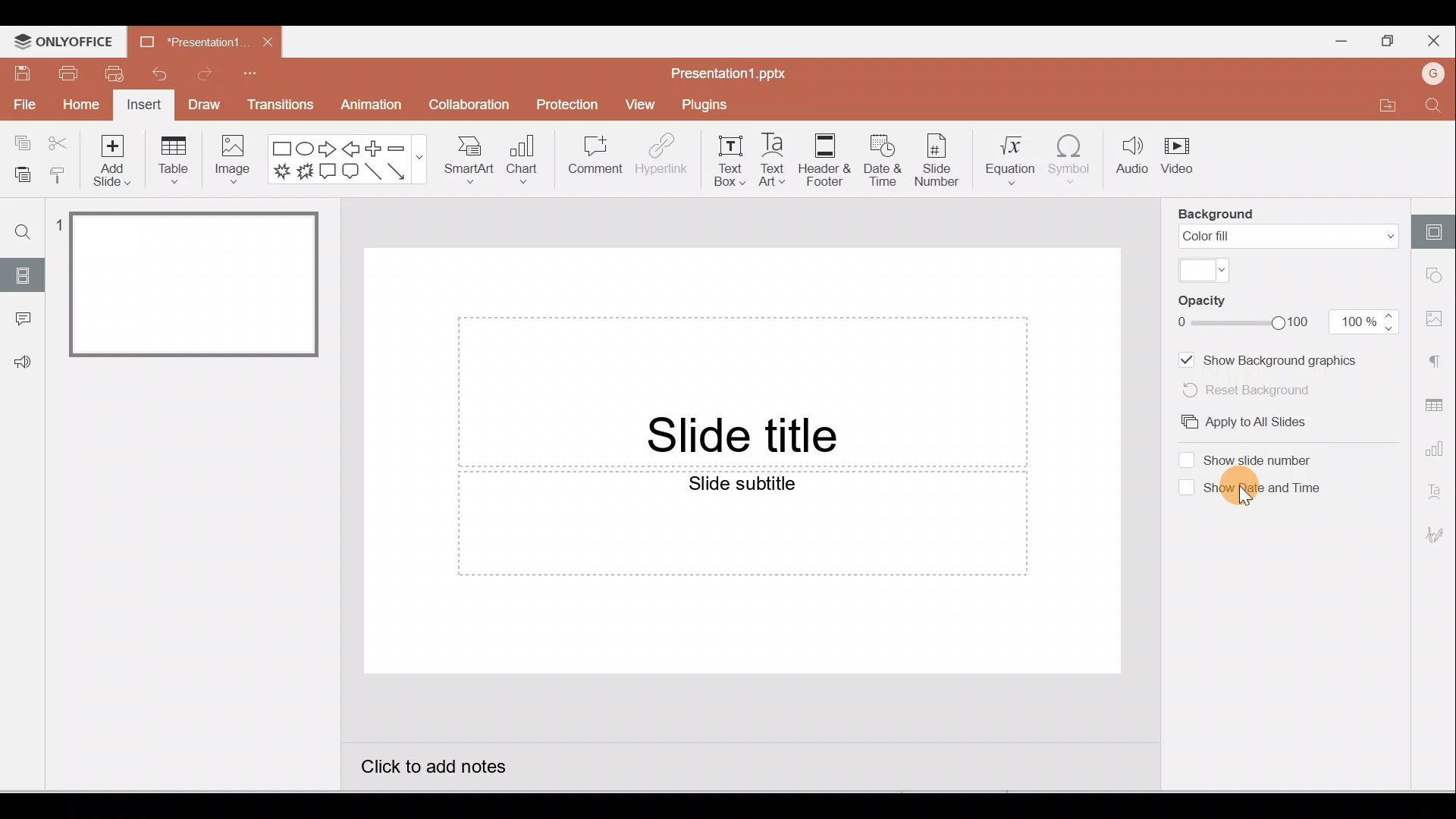  What do you see at coordinates (469, 158) in the screenshot?
I see `SmartArt` at bounding box center [469, 158].